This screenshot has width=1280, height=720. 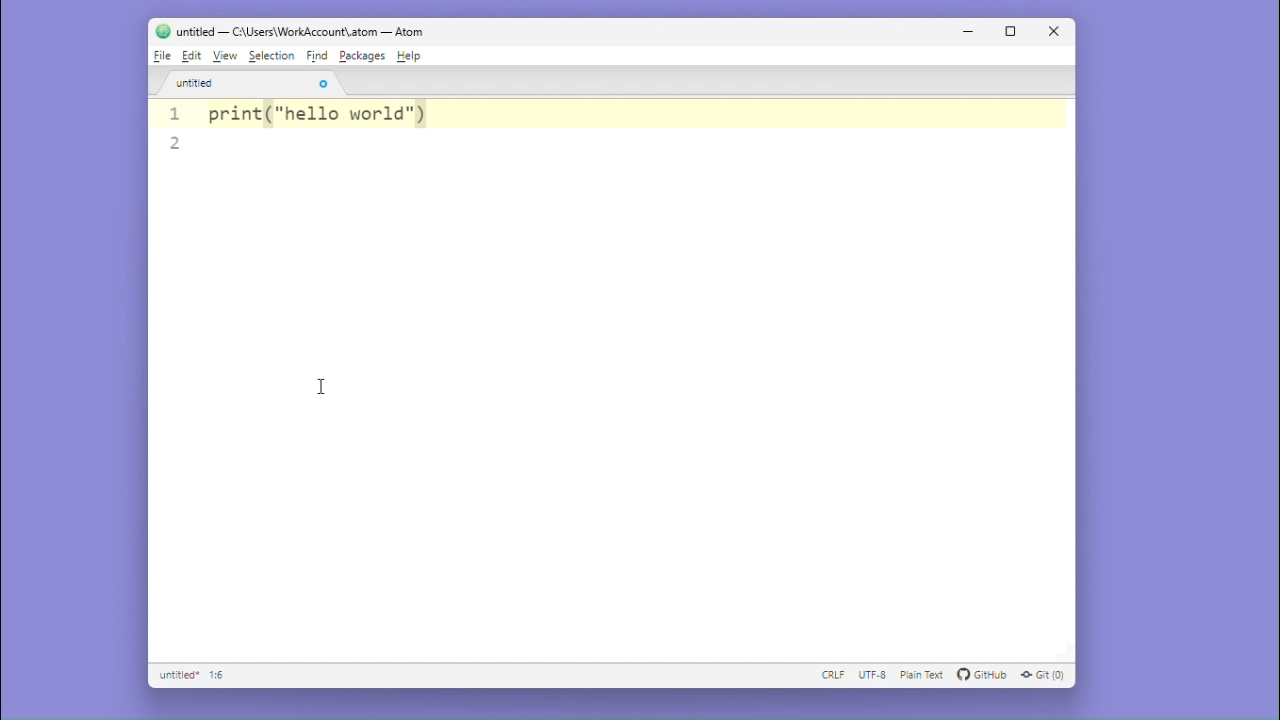 What do you see at coordinates (163, 57) in the screenshot?
I see `File` at bounding box center [163, 57].